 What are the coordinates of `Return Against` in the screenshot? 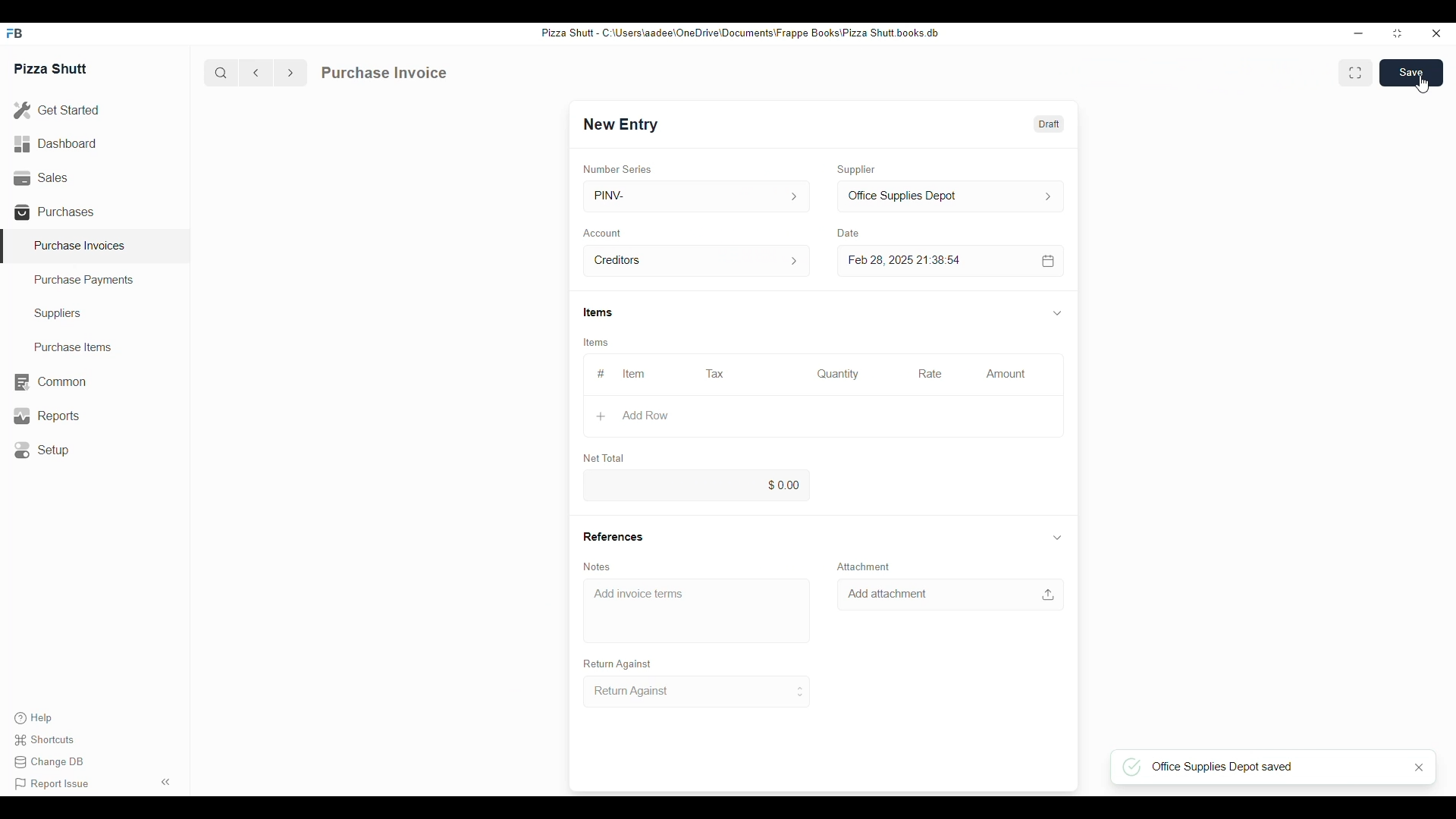 It's located at (617, 664).